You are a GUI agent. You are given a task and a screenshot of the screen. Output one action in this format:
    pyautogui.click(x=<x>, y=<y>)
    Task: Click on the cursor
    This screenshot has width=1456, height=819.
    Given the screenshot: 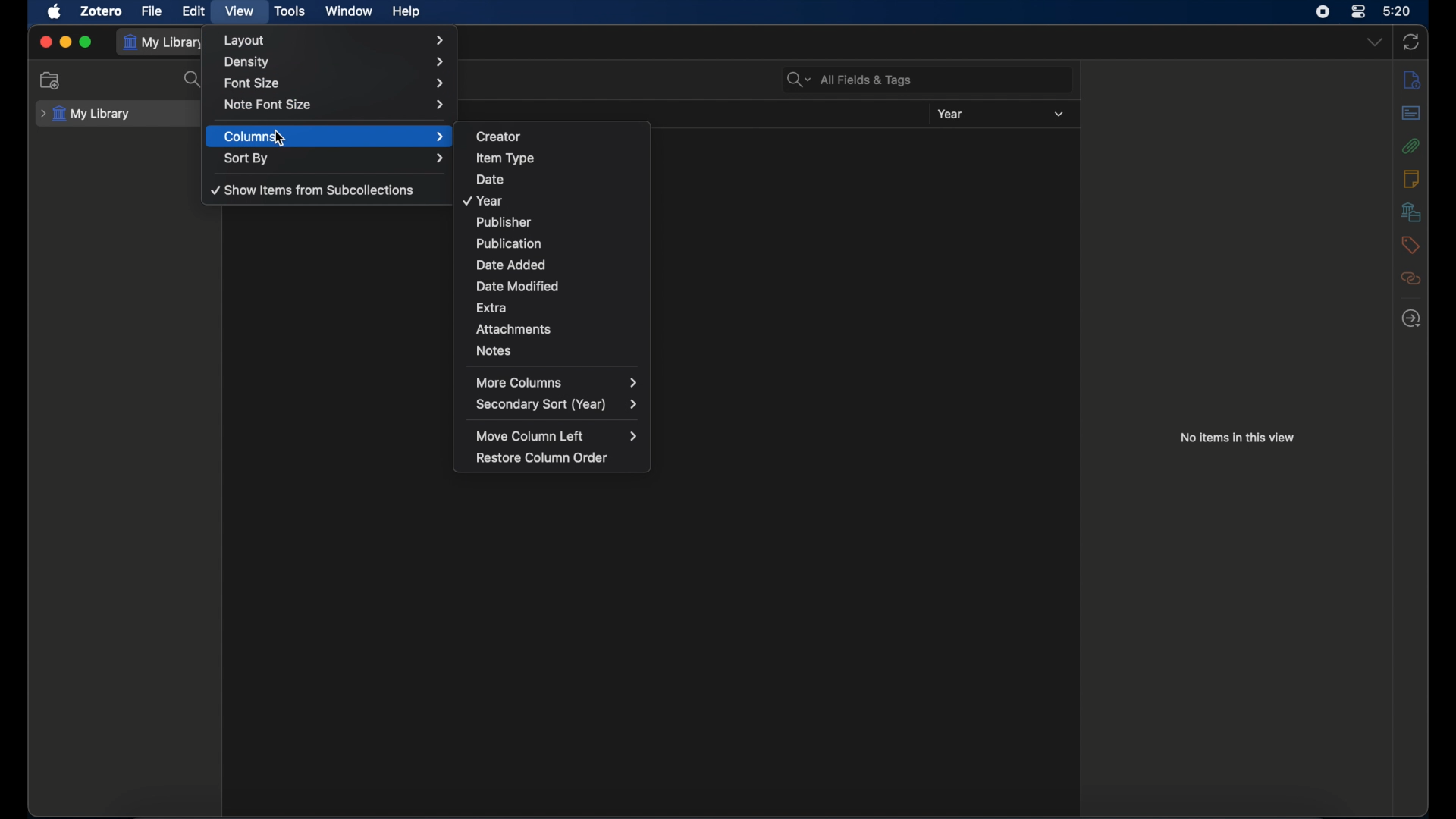 What is the action you would take?
    pyautogui.click(x=279, y=140)
    